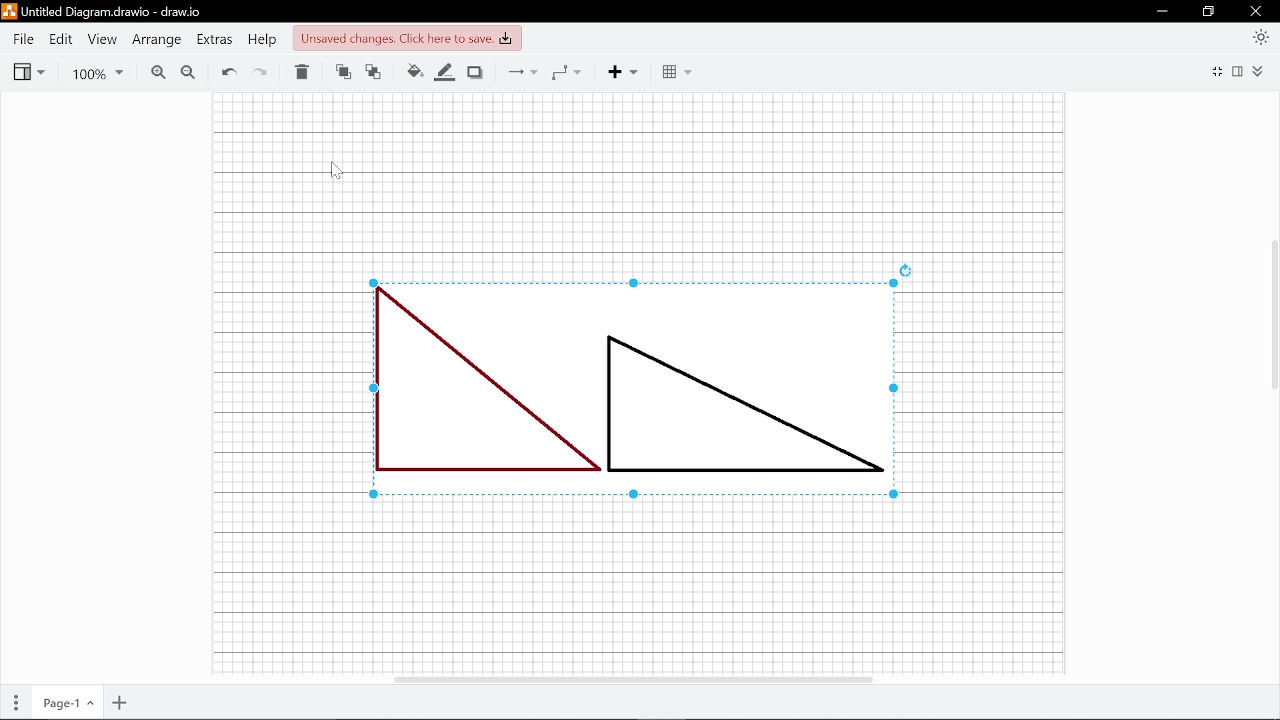  I want to click on Zoom, so click(94, 72).